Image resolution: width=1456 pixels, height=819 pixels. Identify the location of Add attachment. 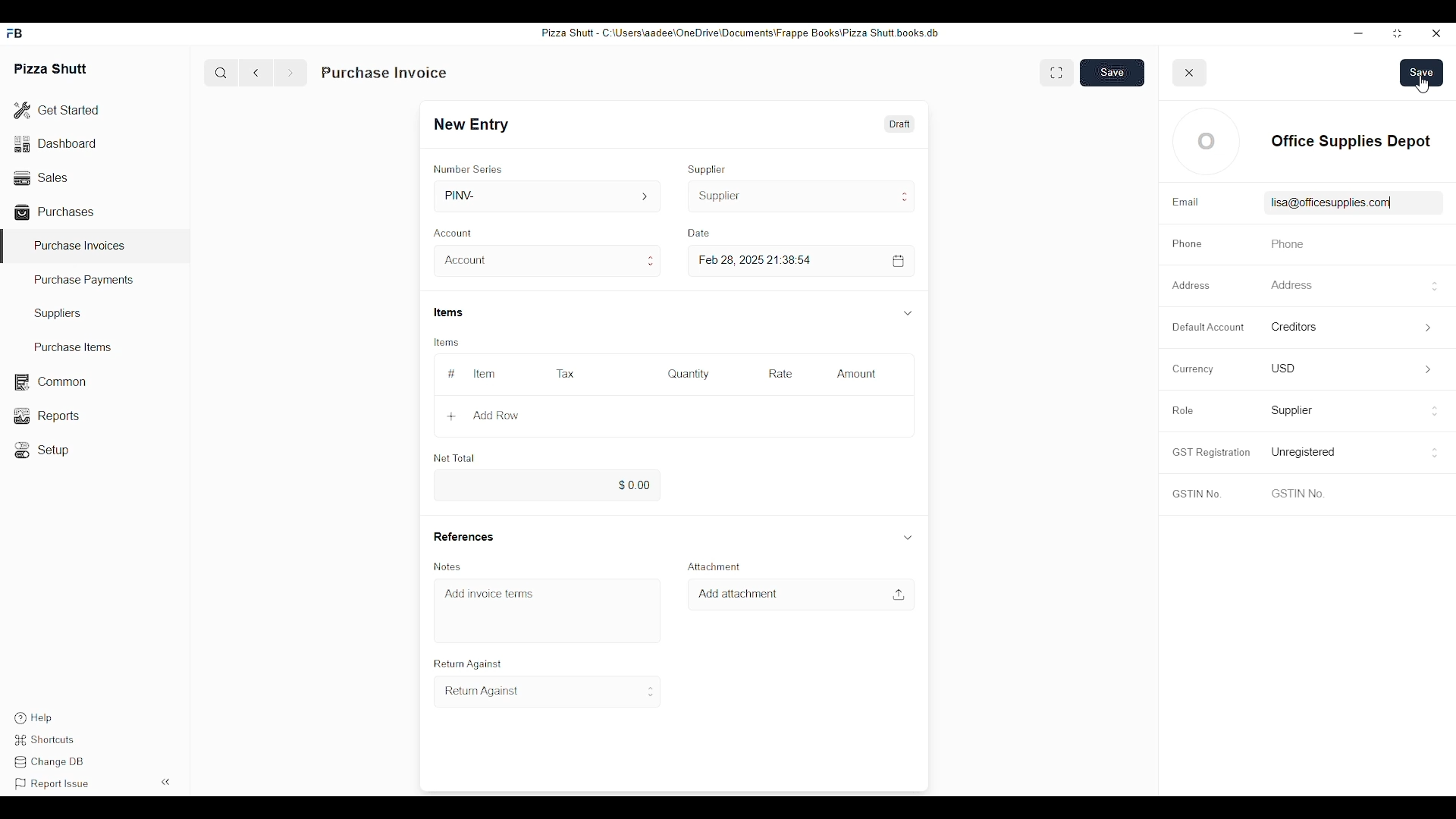
(738, 594).